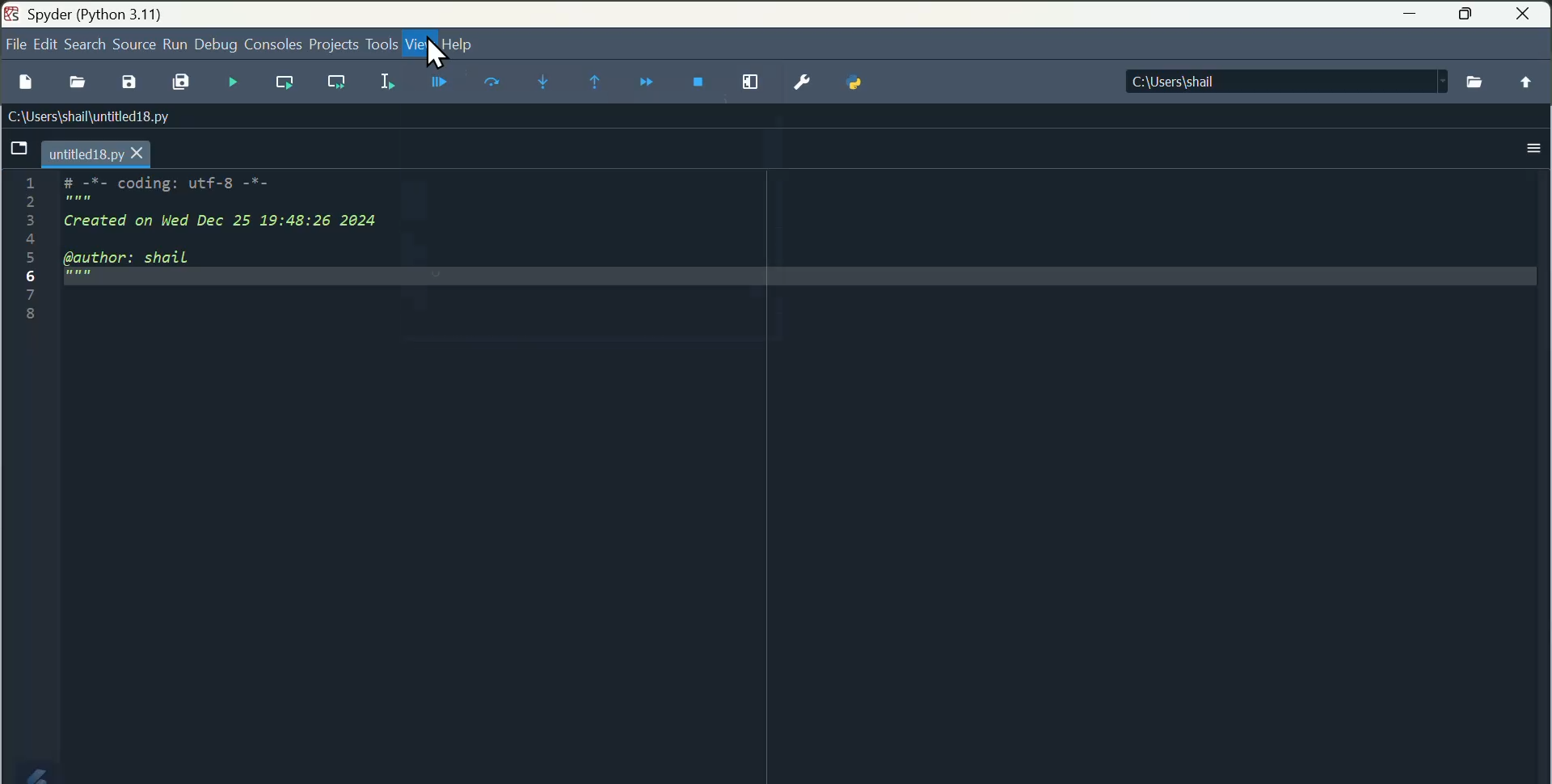  Describe the element at coordinates (75, 81) in the screenshot. I see `Open file` at that location.